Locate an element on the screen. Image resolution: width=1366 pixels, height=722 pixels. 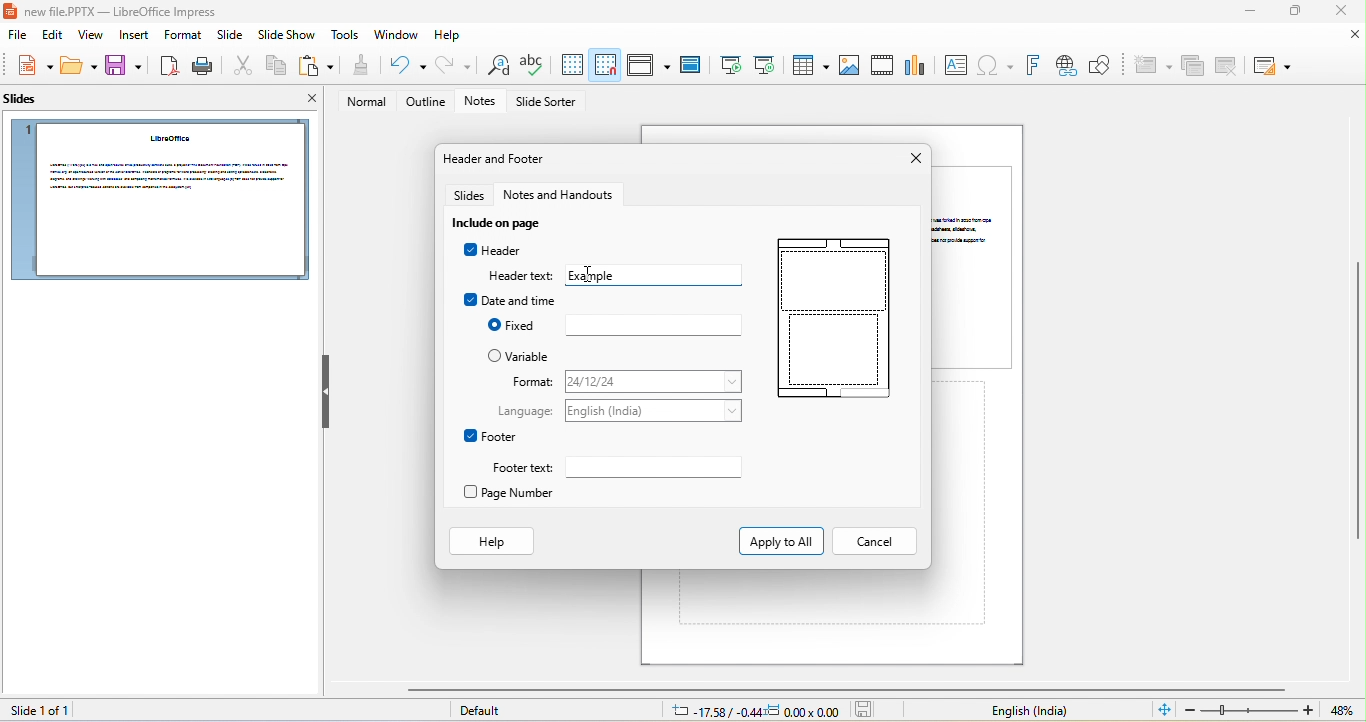
notes is located at coordinates (484, 102).